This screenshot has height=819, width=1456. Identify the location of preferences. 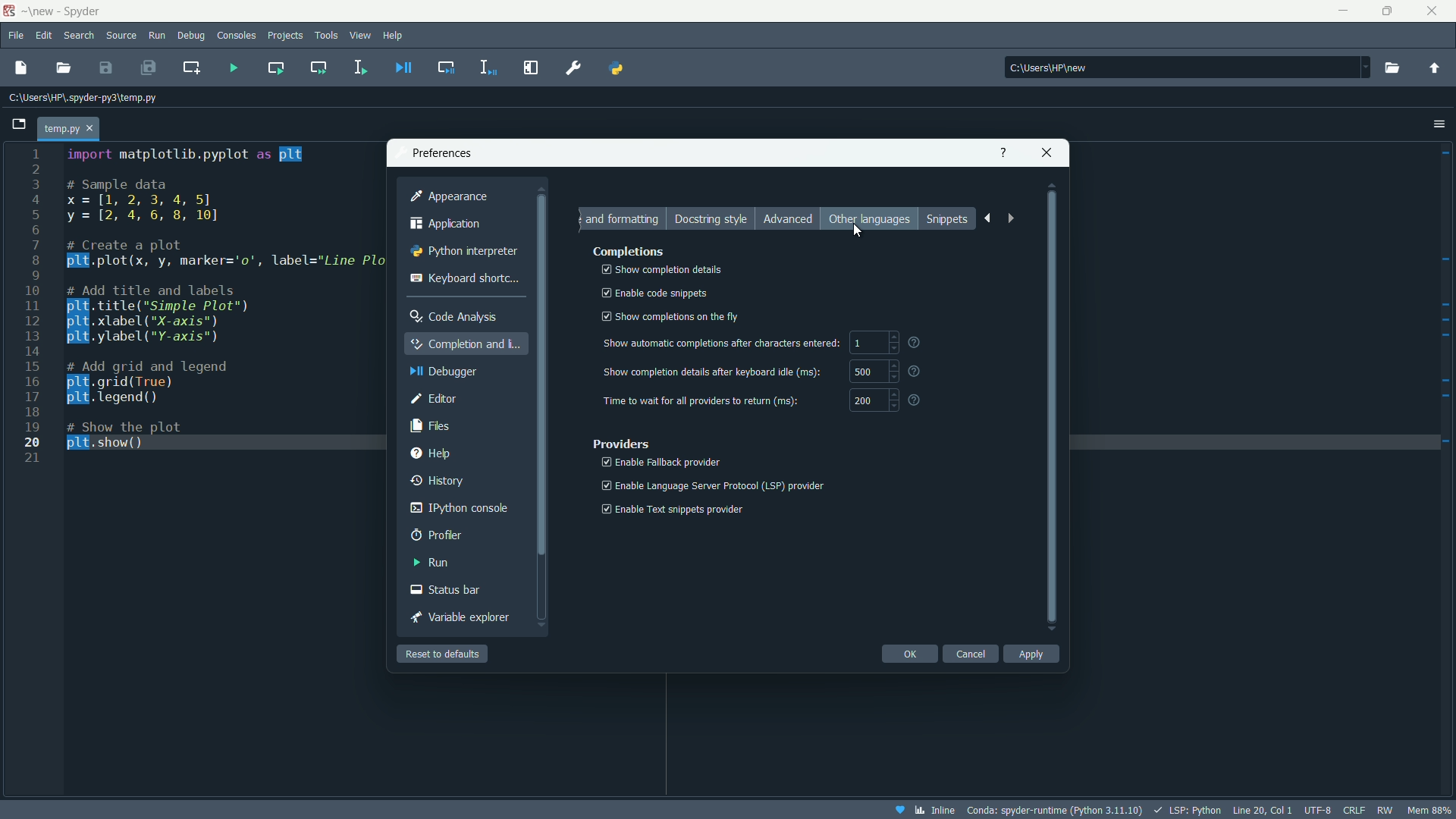
(575, 67).